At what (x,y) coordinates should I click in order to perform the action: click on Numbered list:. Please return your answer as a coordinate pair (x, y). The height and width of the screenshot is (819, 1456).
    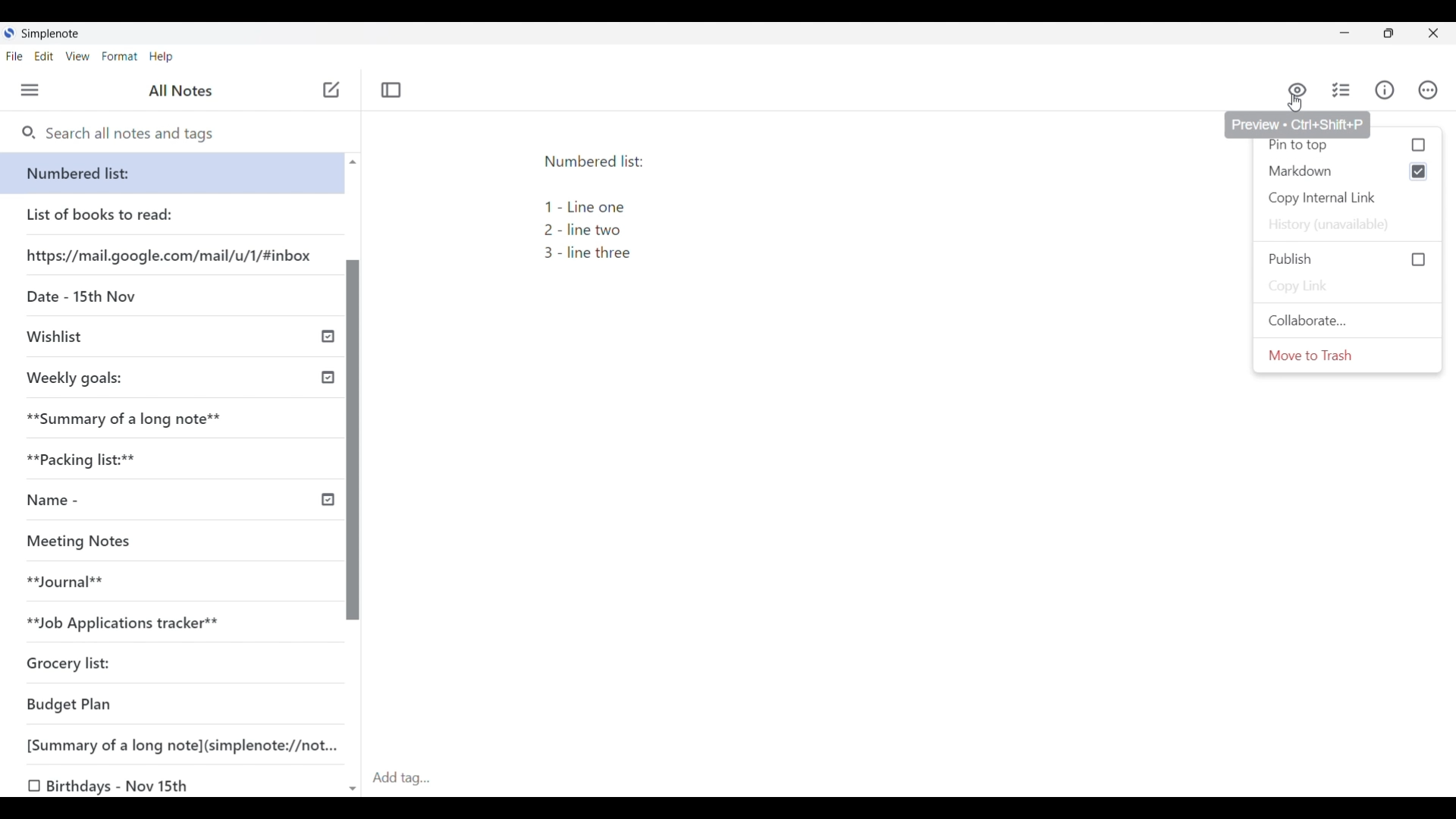
    Looking at the image, I should click on (174, 173).